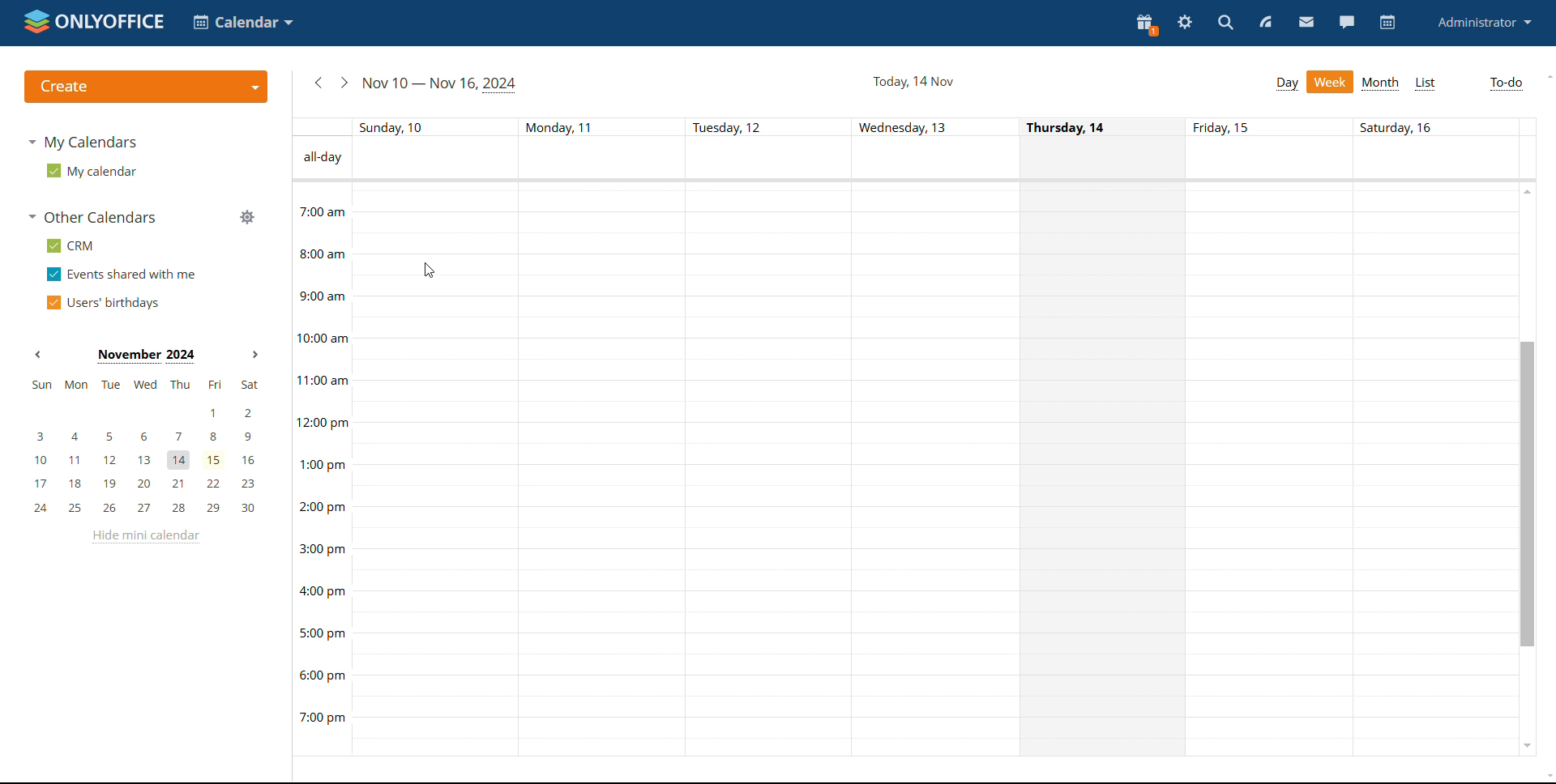 Image resolution: width=1556 pixels, height=784 pixels. What do you see at coordinates (1287, 84) in the screenshot?
I see `day view` at bounding box center [1287, 84].